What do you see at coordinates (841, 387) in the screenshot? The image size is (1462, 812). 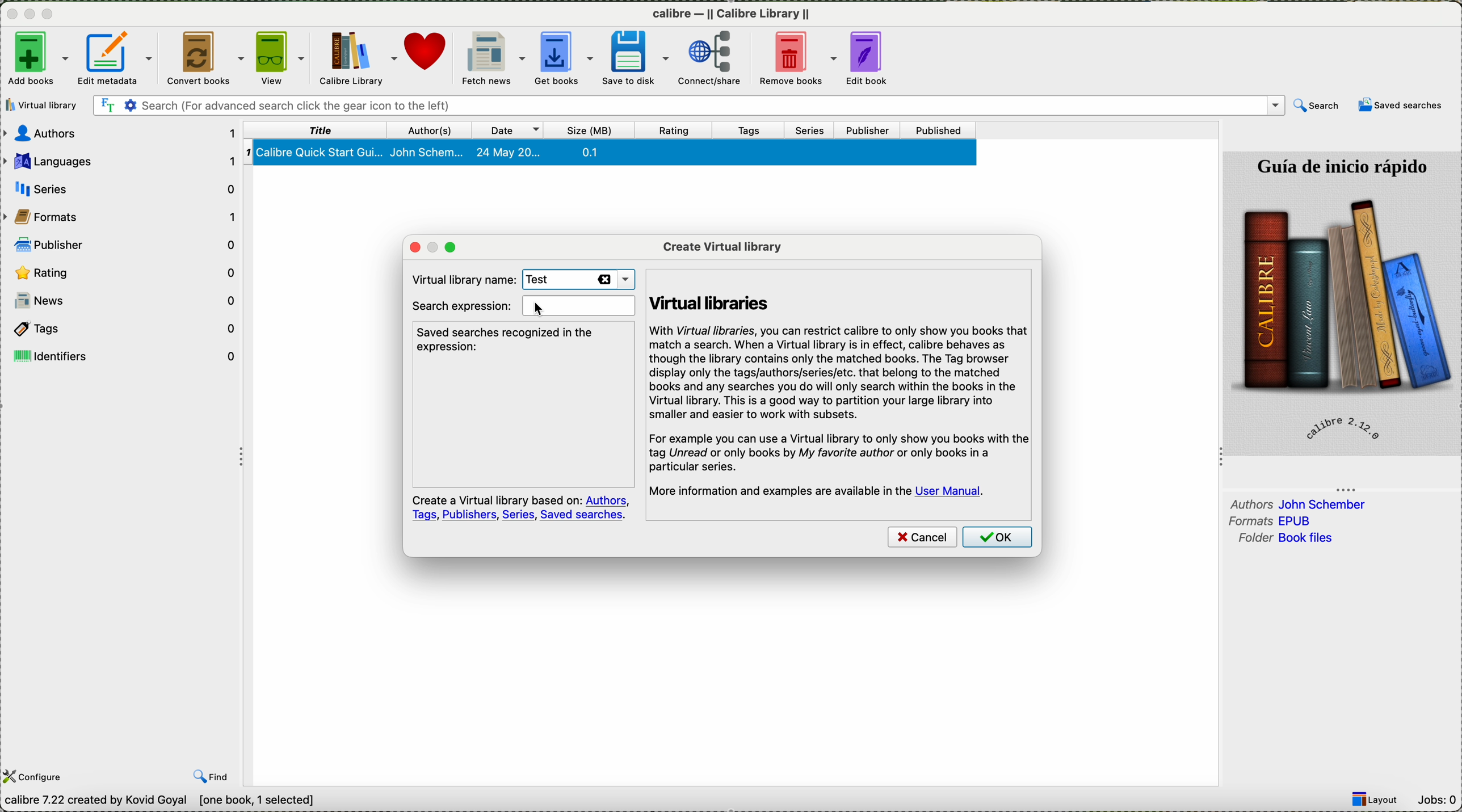 I see `virtual libraries with virtual libraries you can resist Callibre to only show you books that match a search .when a virtual library is in effect ,Callibre behave as  though the library contains only the match books. t tag browser display only tha lags that belong to the match book that you have searched in books in virtual library.this is good way to partition your bigg library into small parts and works in subset.more information and examples are available in user manual.` at bounding box center [841, 387].